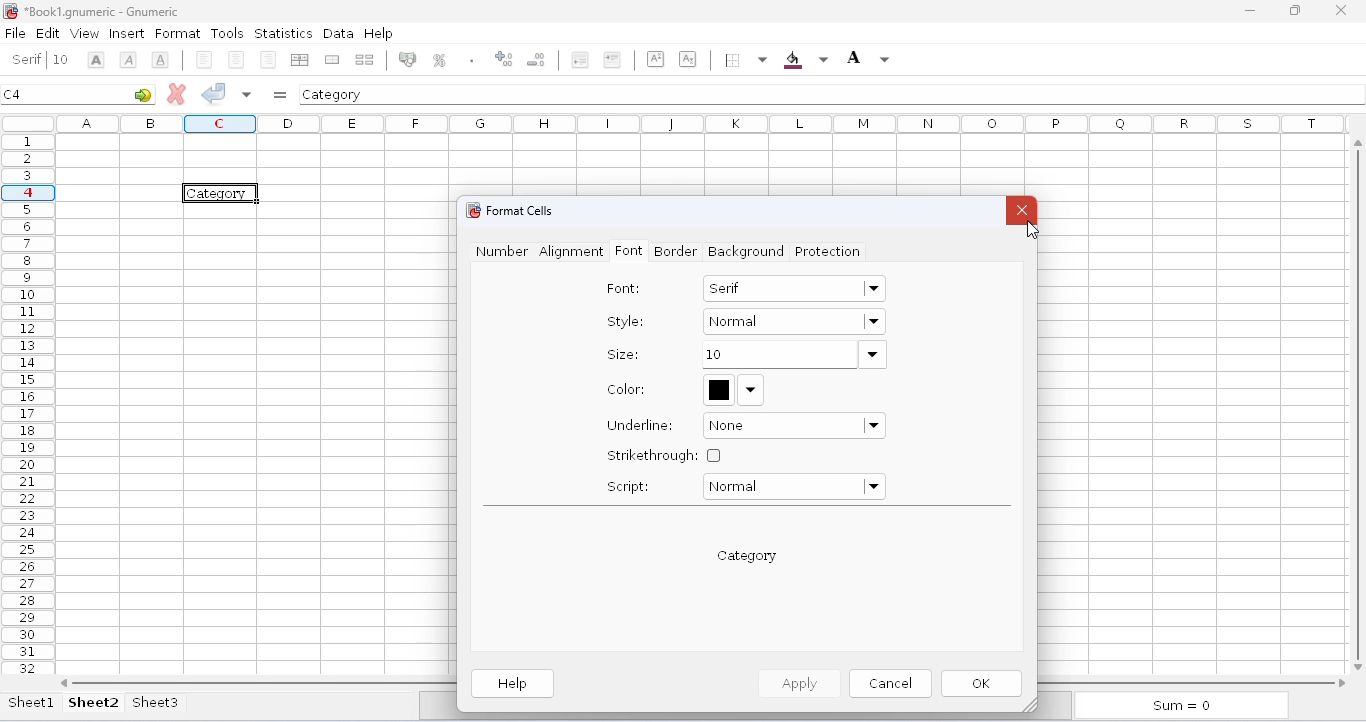 The height and width of the screenshot is (722, 1366). What do you see at coordinates (1250, 11) in the screenshot?
I see `minimize` at bounding box center [1250, 11].